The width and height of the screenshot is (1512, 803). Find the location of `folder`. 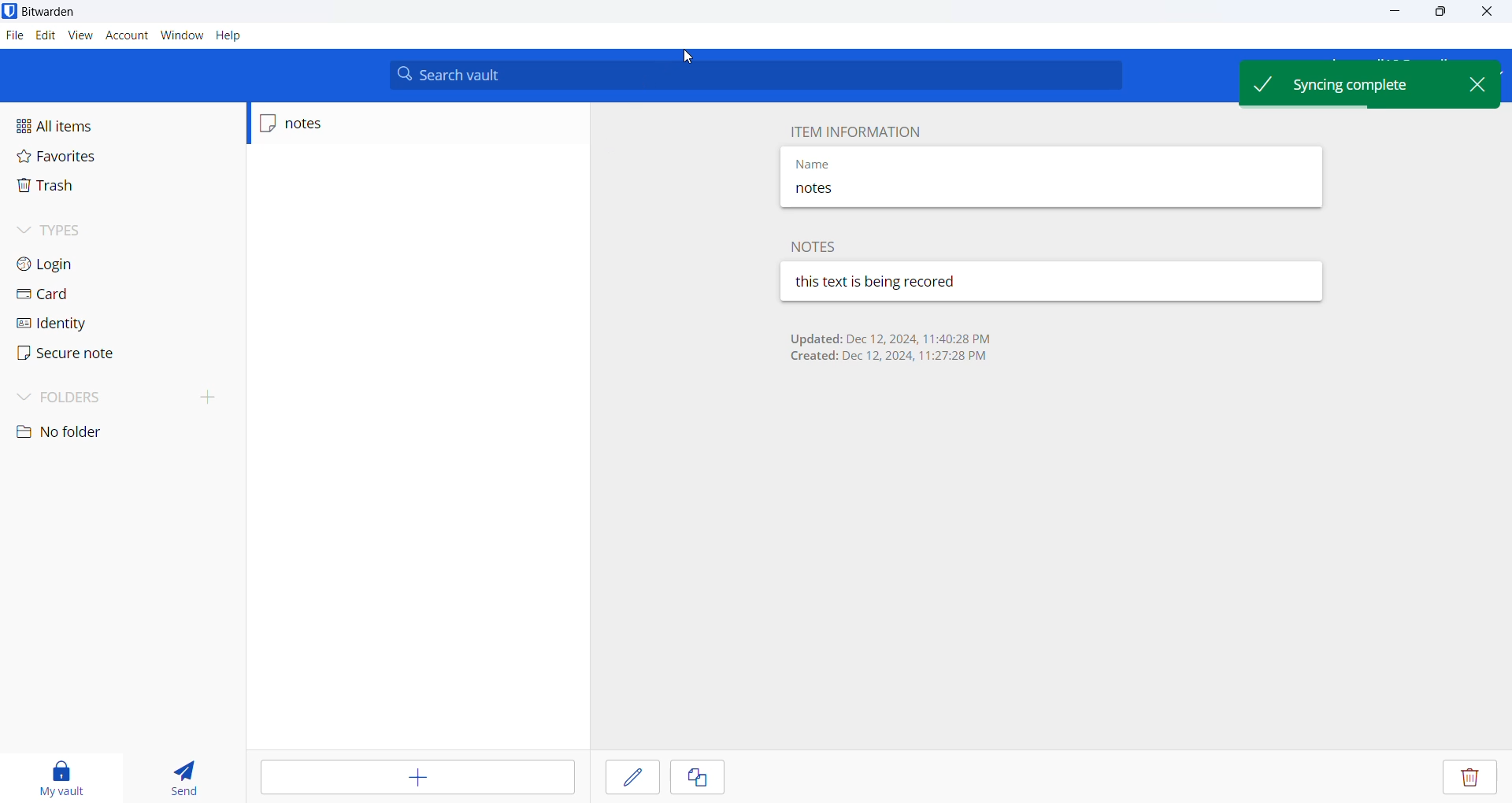

folder is located at coordinates (116, 396).